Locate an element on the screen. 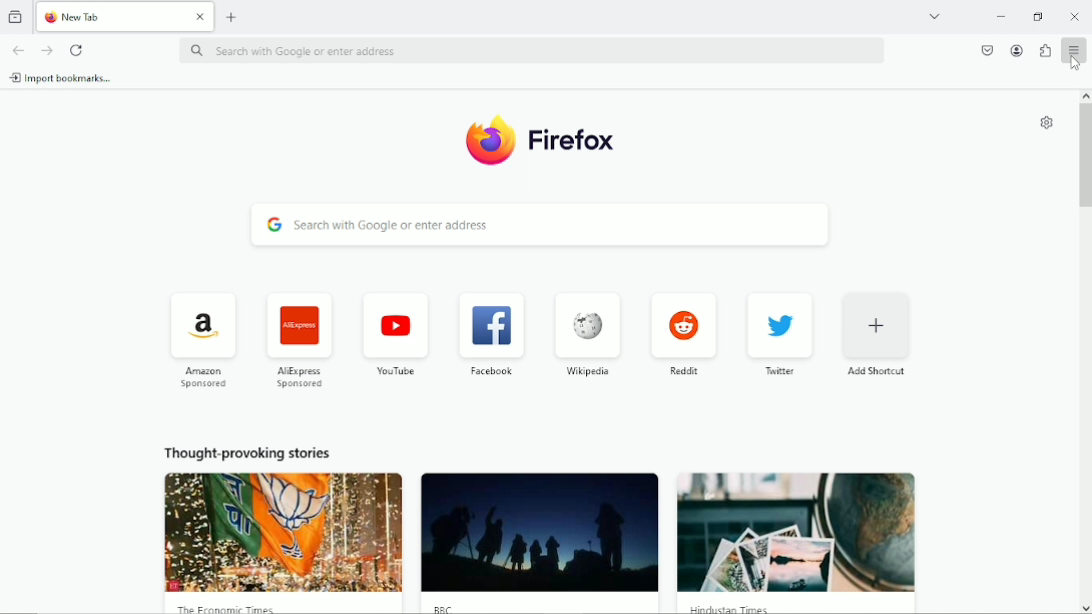 Image resolution: width=1092 pixels, height=614 pixels. close is located at coordinates (200, 16).